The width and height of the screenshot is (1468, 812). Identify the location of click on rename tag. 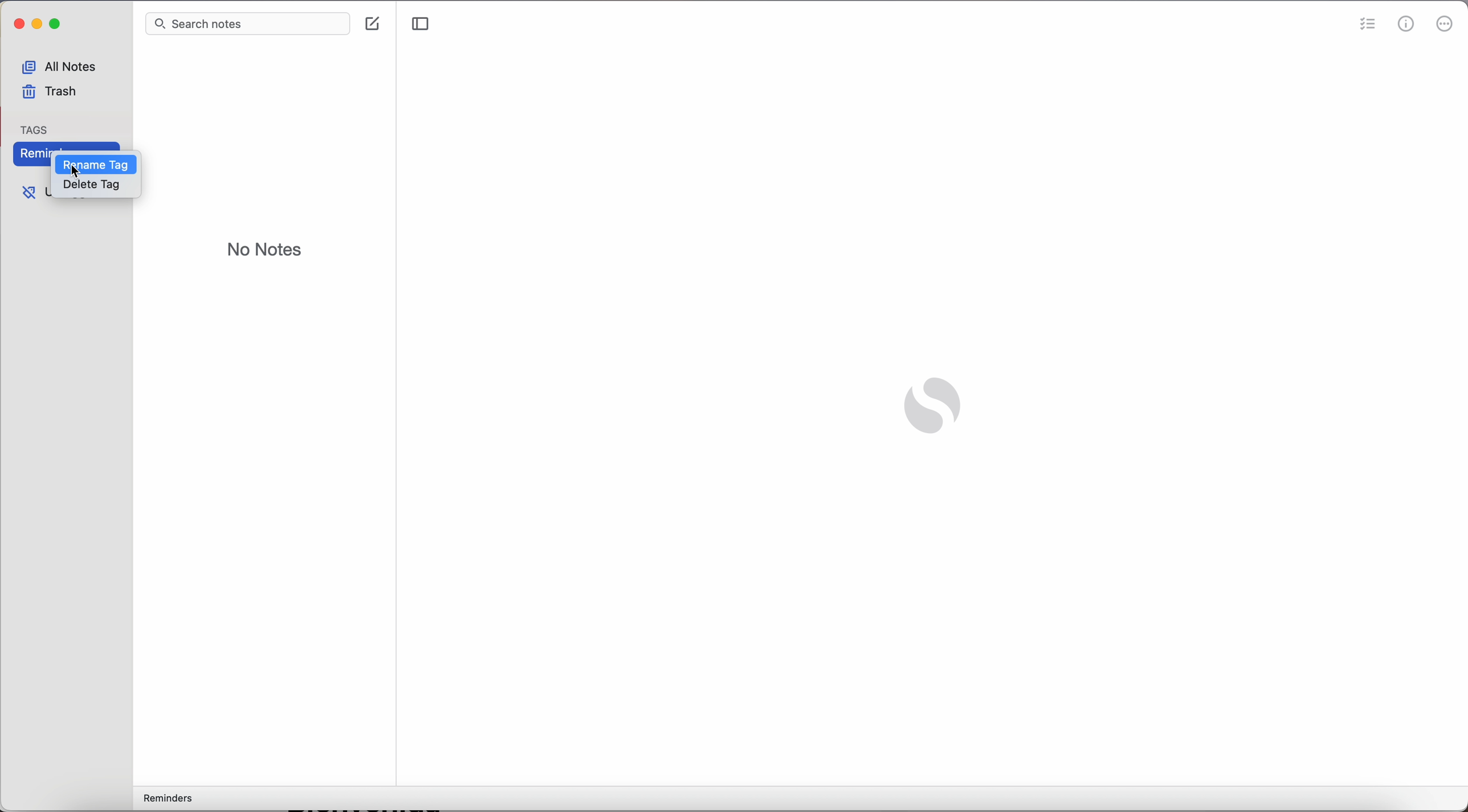
(107, 166).